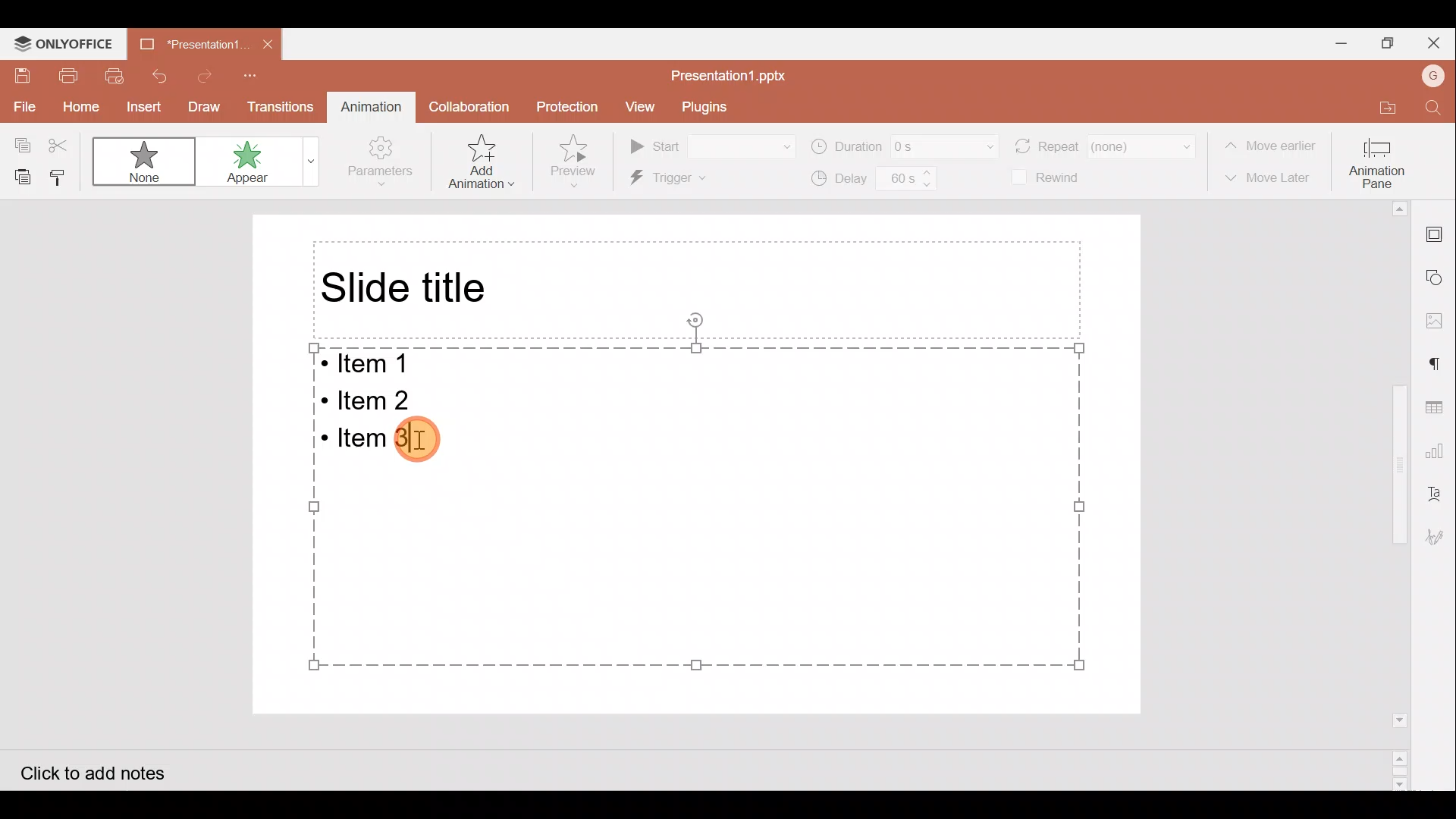  I want to click on Repeat, so click(1106, 144).